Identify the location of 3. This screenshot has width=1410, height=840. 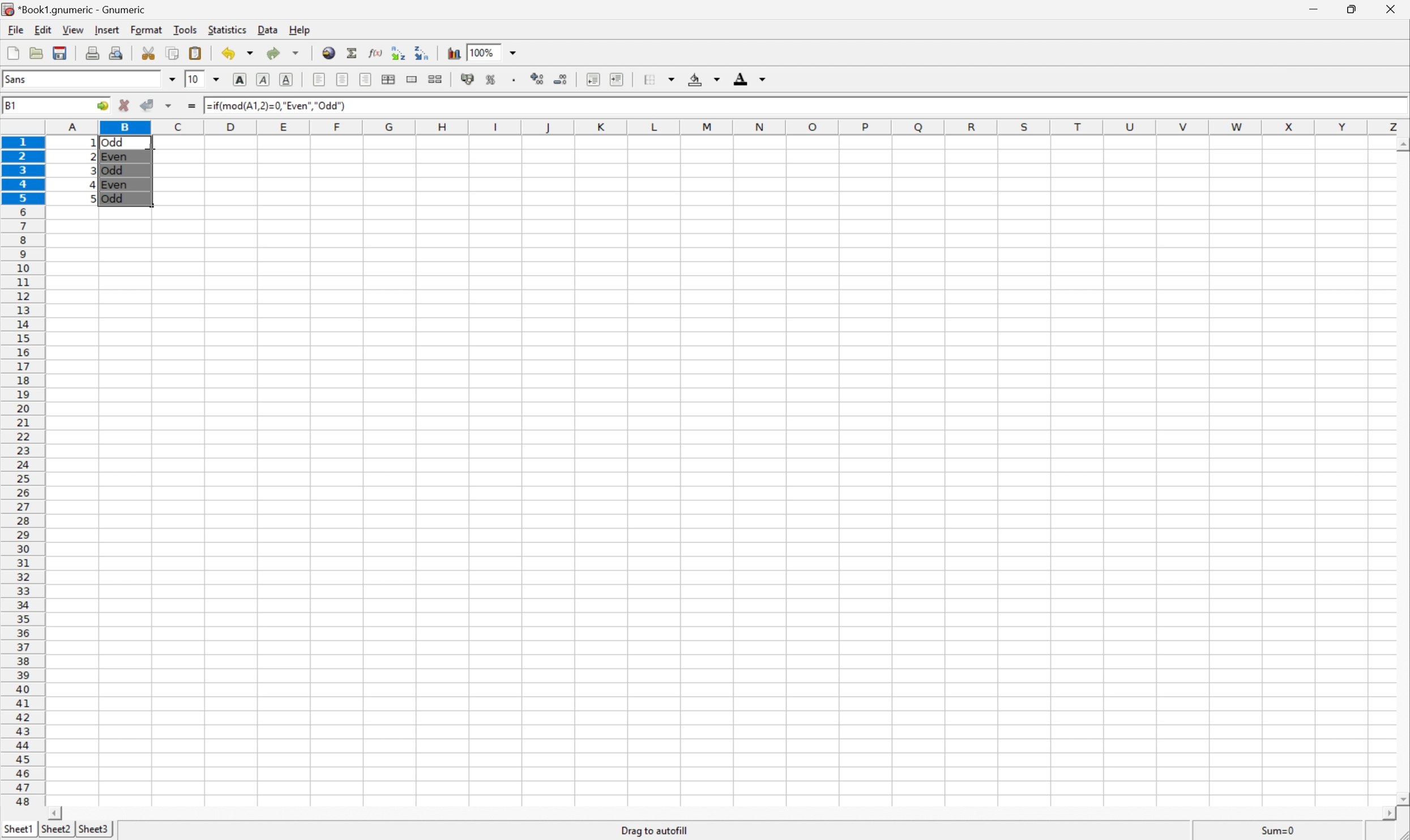
(93, 170).